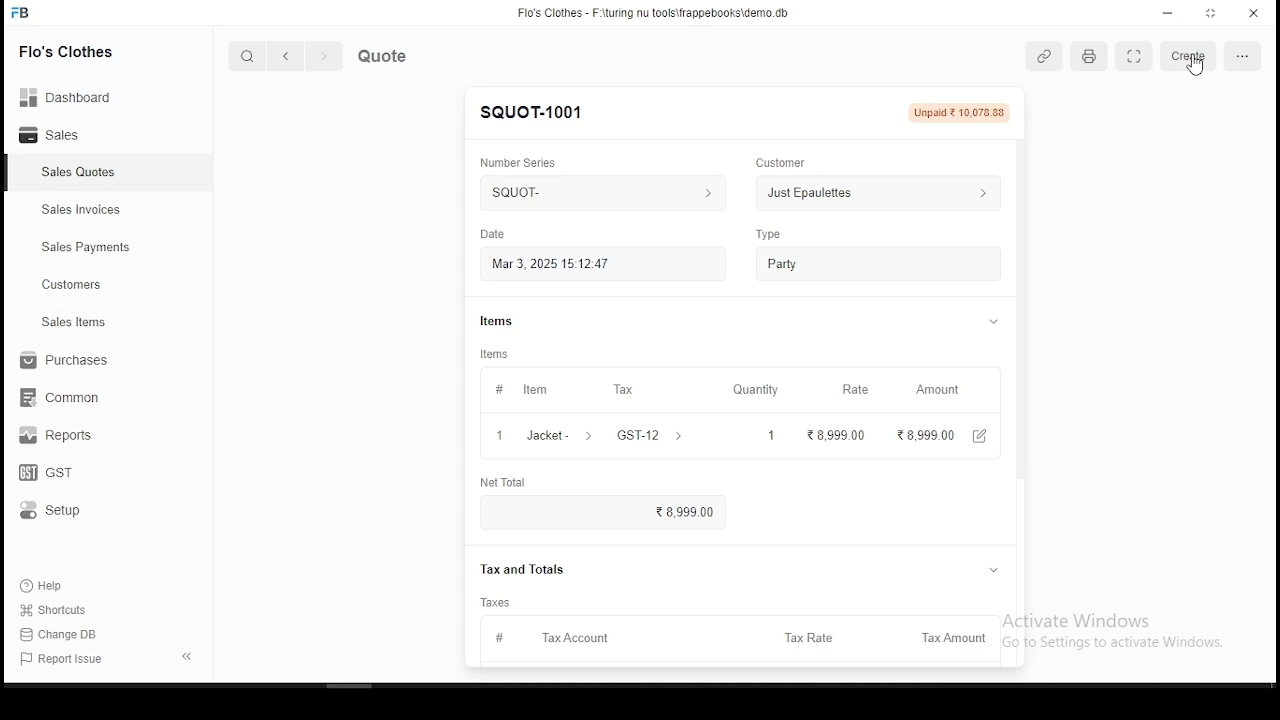  I want to click on customer, so click(787, 158).